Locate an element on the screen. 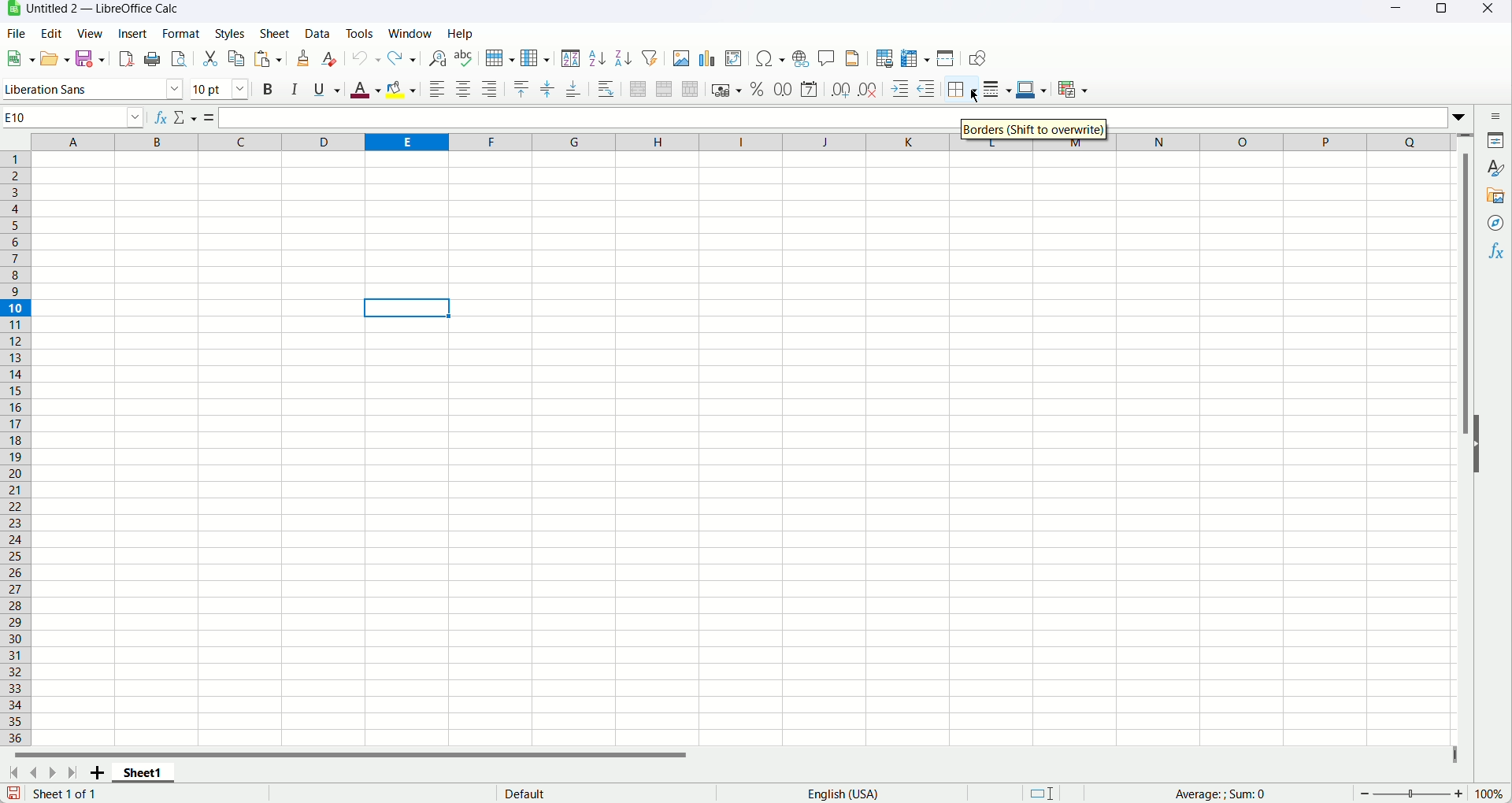 The width and height of the screenshot is (1512, 803). Font size is located at coordinates (223, 89).